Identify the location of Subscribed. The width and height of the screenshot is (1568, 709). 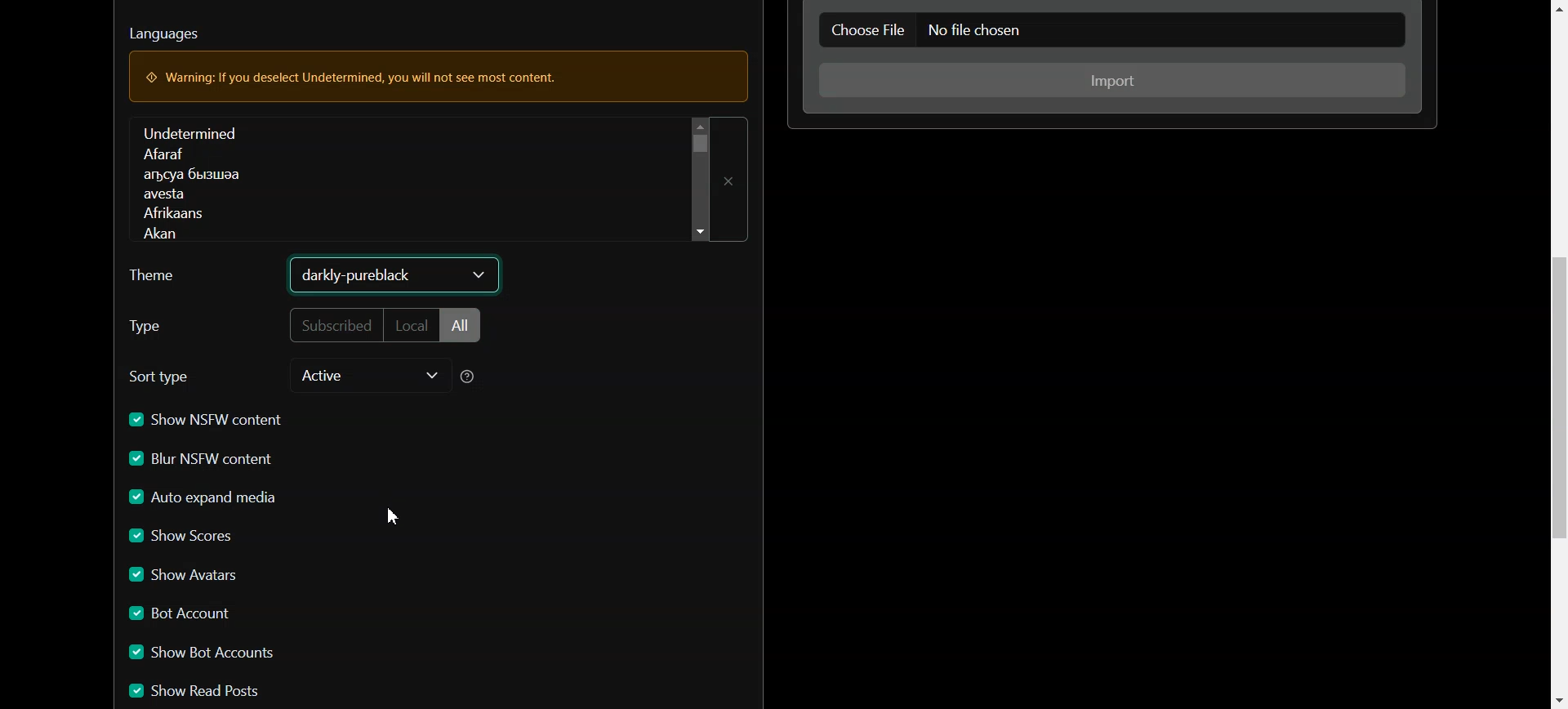
(332, 326).